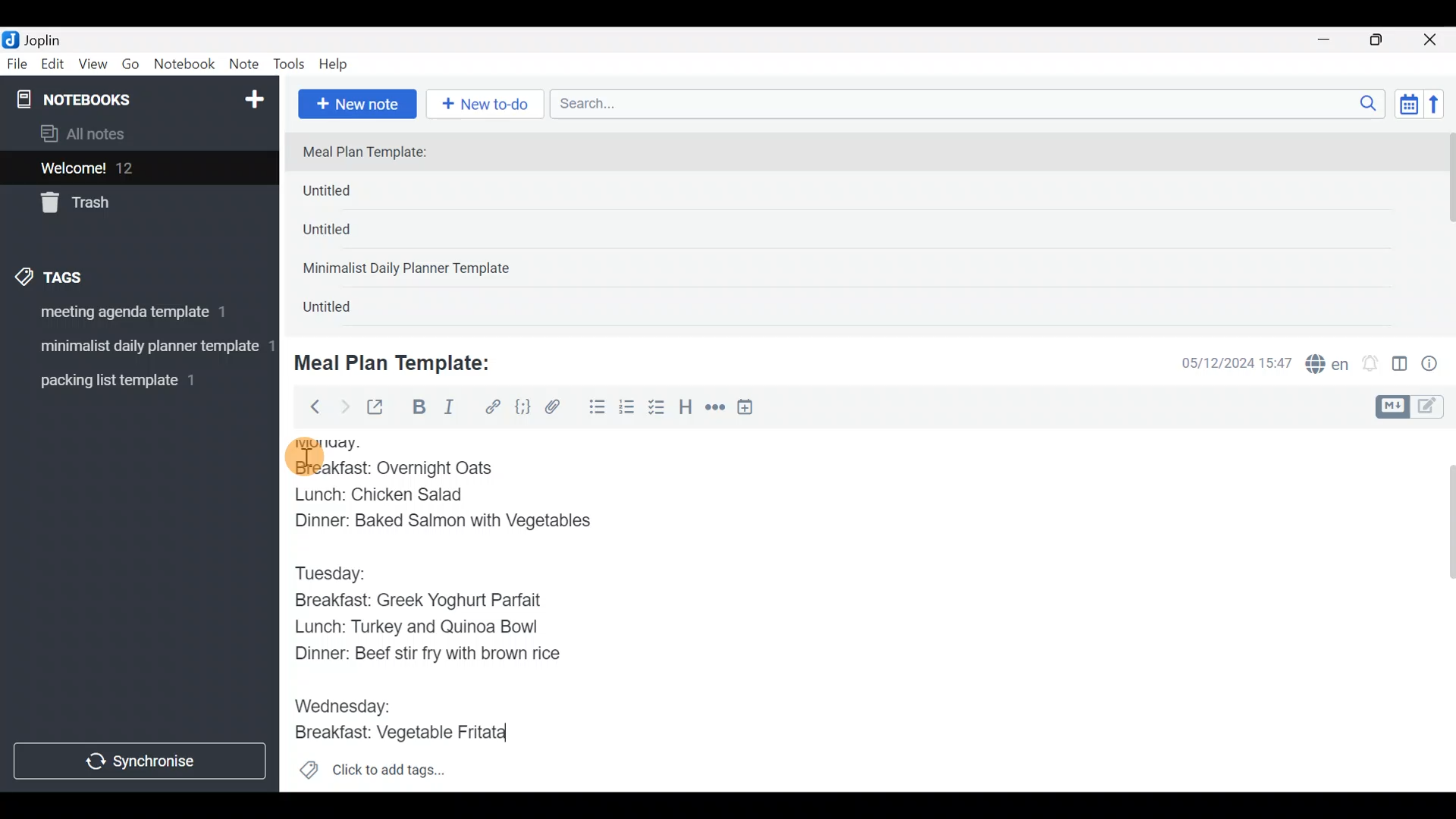 Image resolution: width=1456 pixels, height=819 pixels. What do you see at coordinates (339, 570) in the screenshot?
I see `Tuesday:` at bounding box center [339, 570].